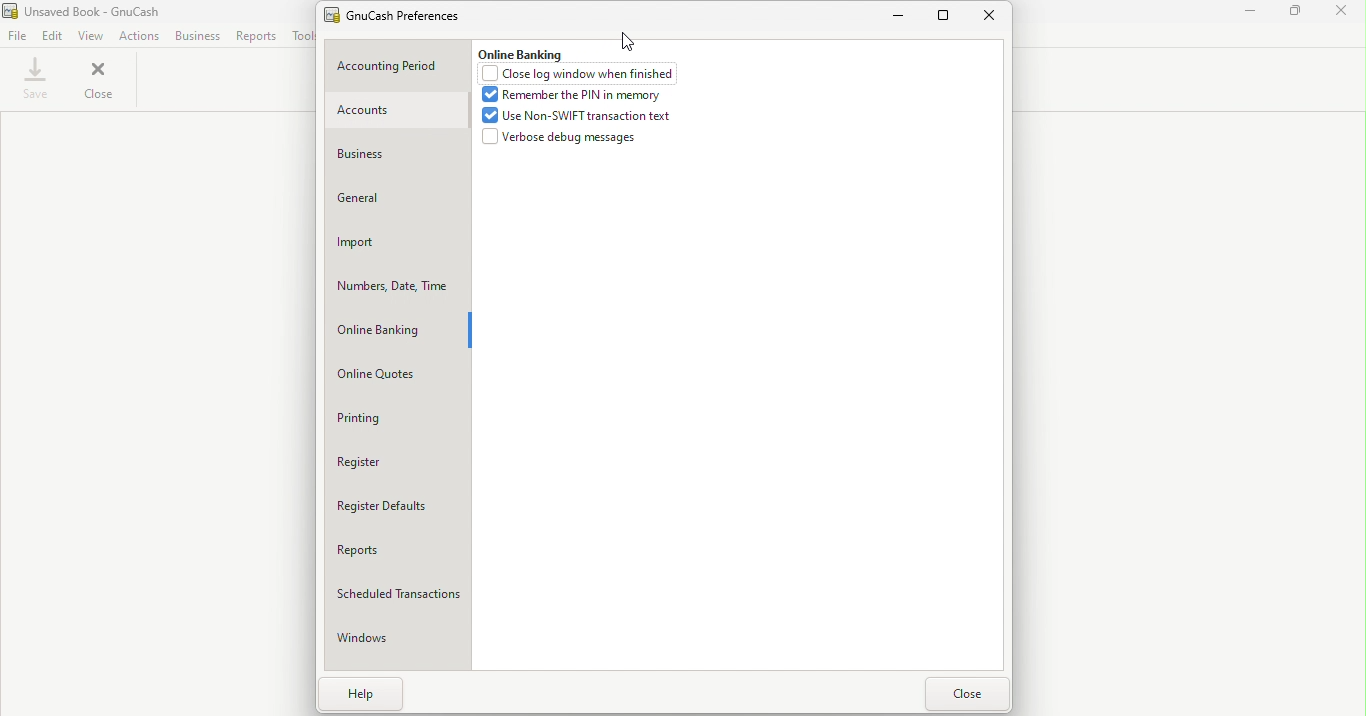 This screenshot has height=716, width=1366. I want to click on Actions, so click(138, 36).